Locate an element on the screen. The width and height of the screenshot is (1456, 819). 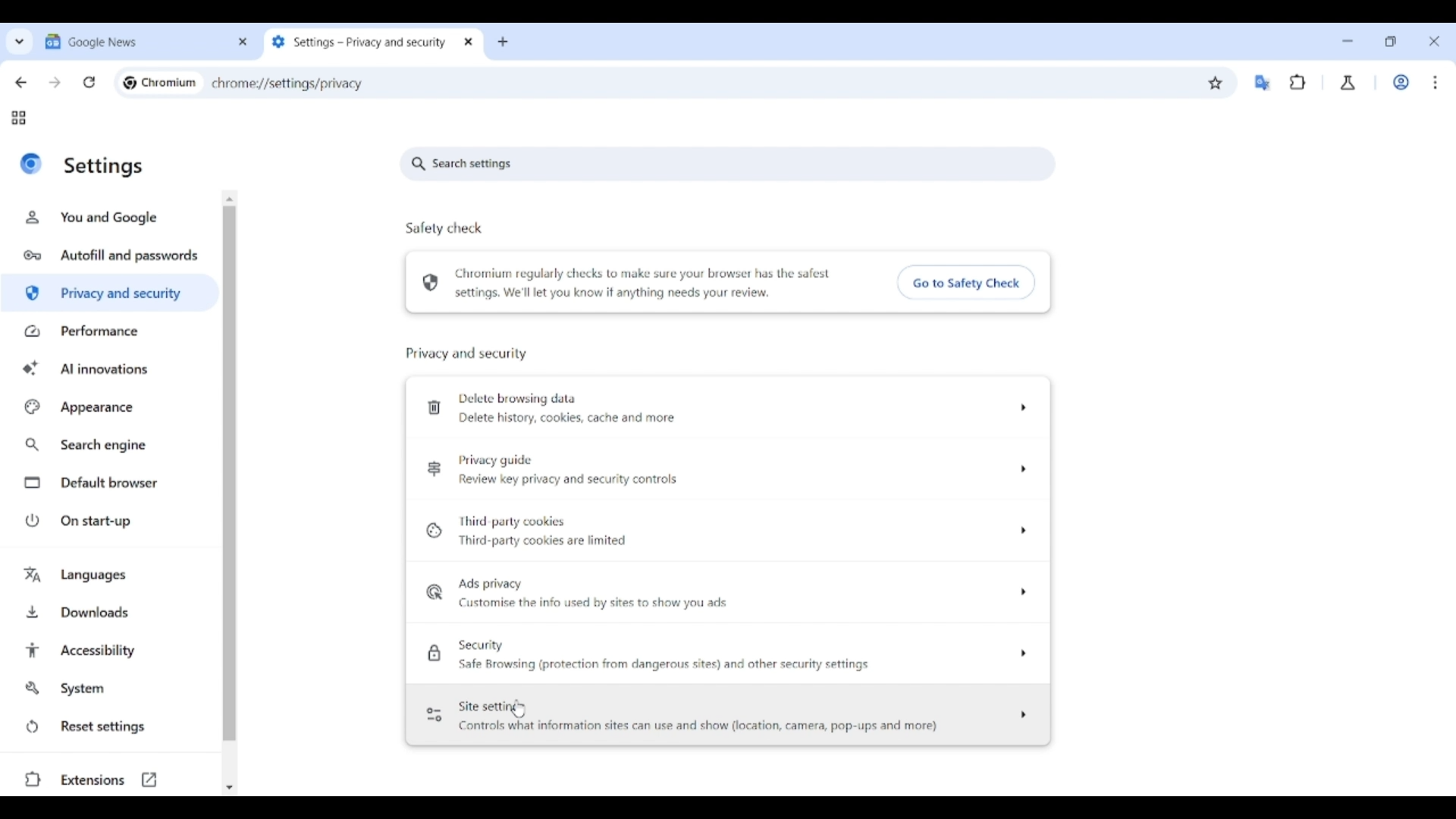
Reset settings is located at coordinates (110, 727).